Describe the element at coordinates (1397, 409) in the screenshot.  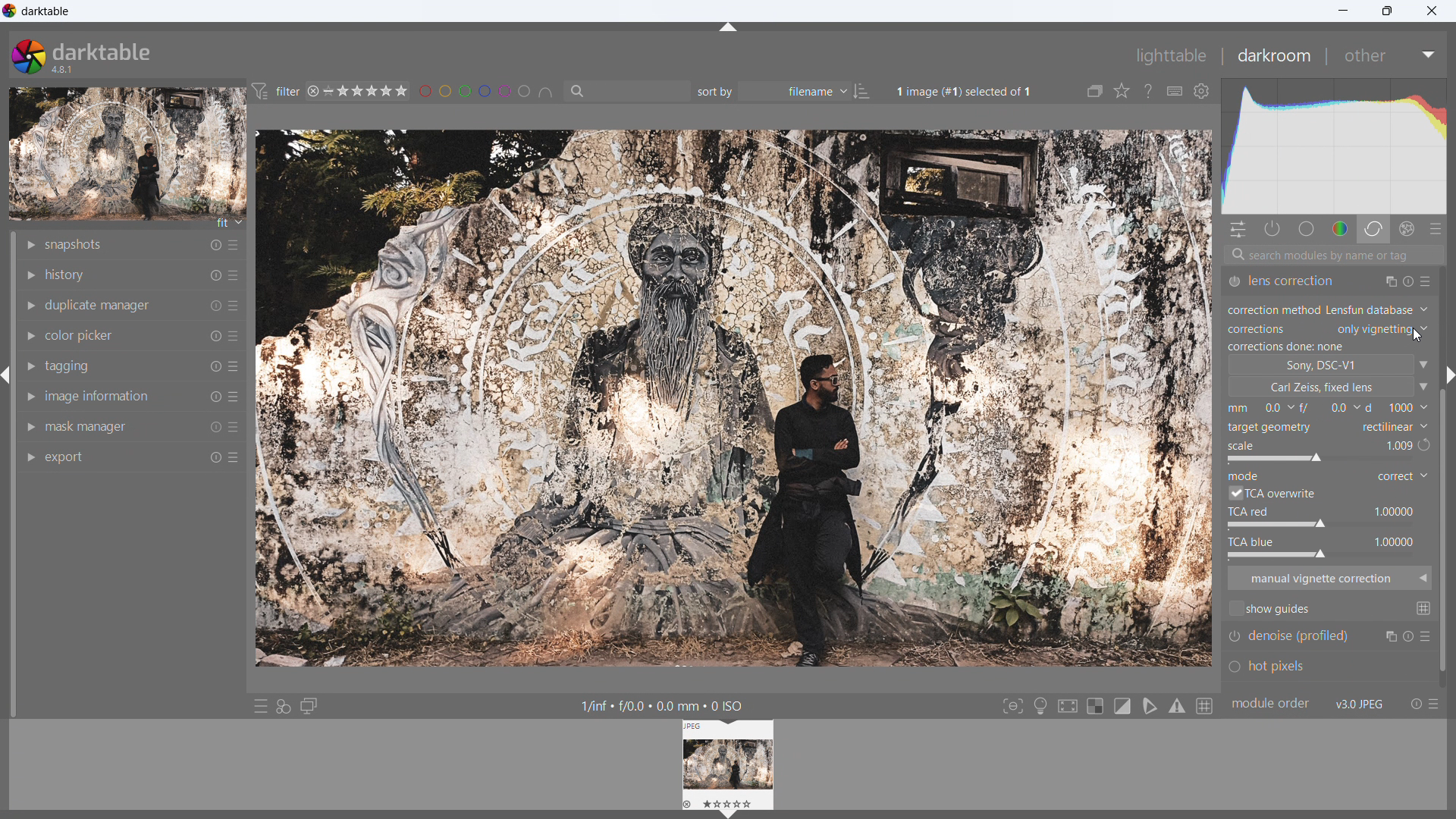
I see `f-number` at that location.